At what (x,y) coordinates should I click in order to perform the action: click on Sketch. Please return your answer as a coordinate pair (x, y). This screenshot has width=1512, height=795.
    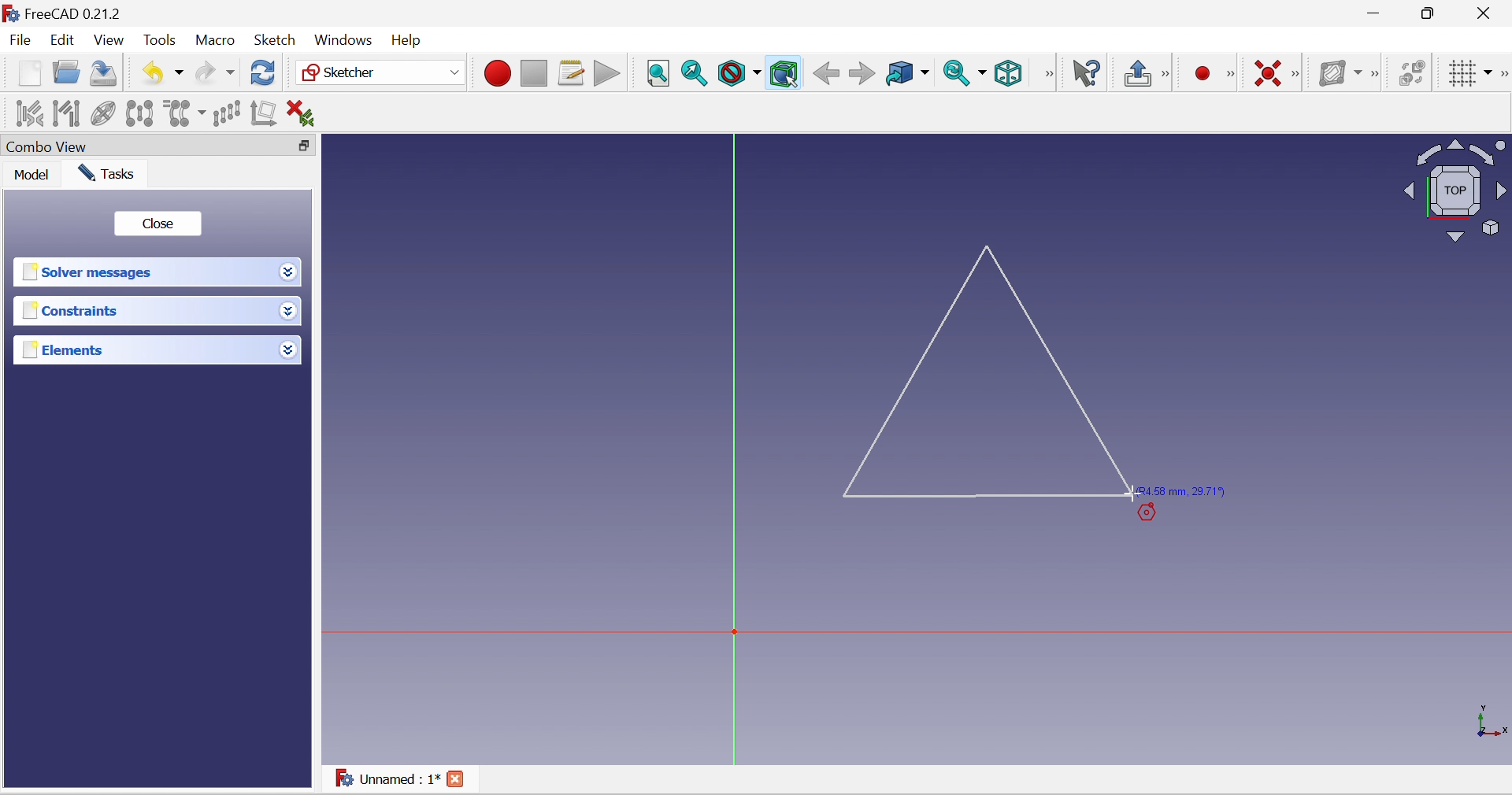
    Looking at the image, I should click on (275, 40).